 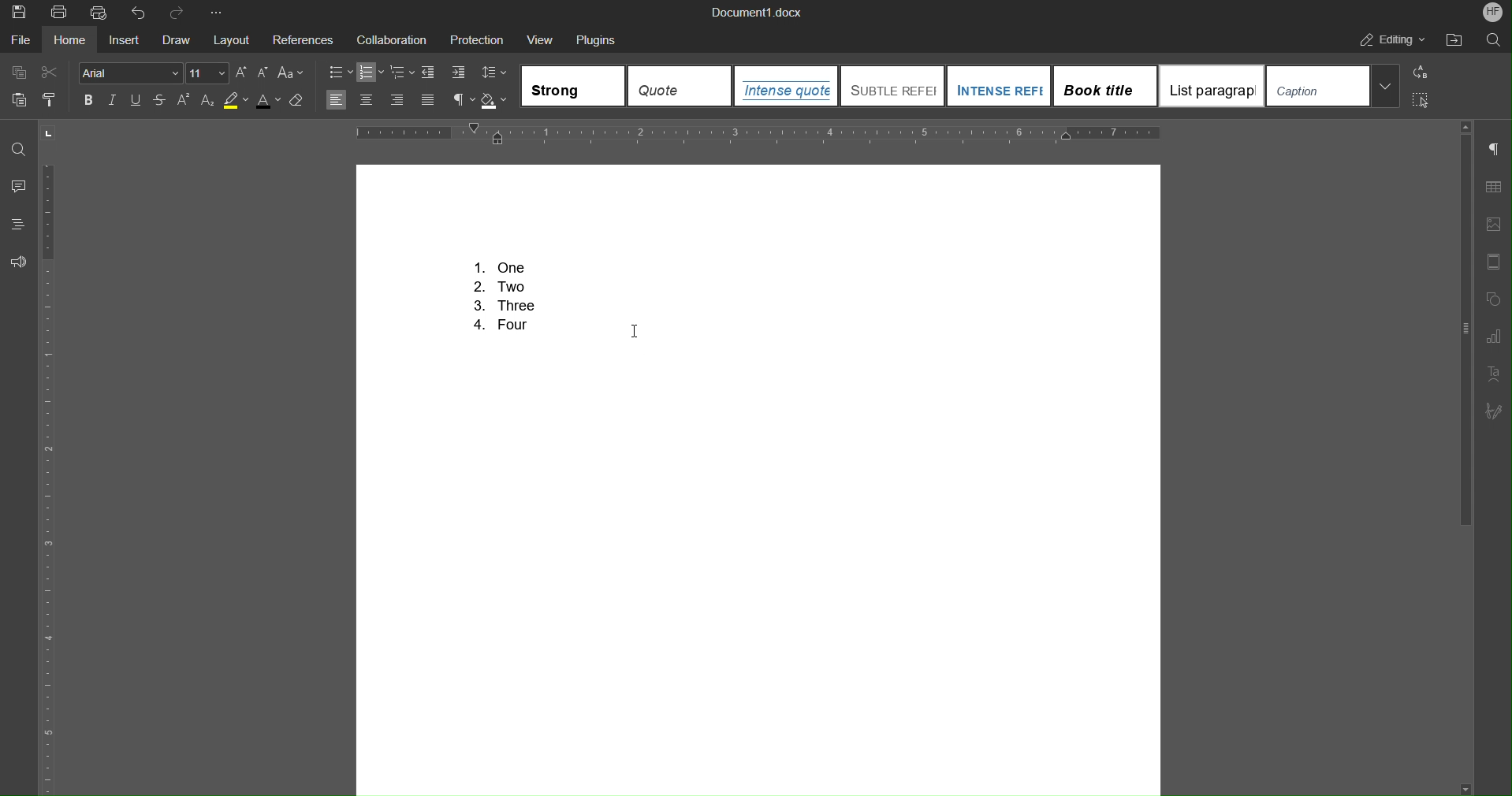 I want to click on Intense Reference, so click(x=998, y=84).